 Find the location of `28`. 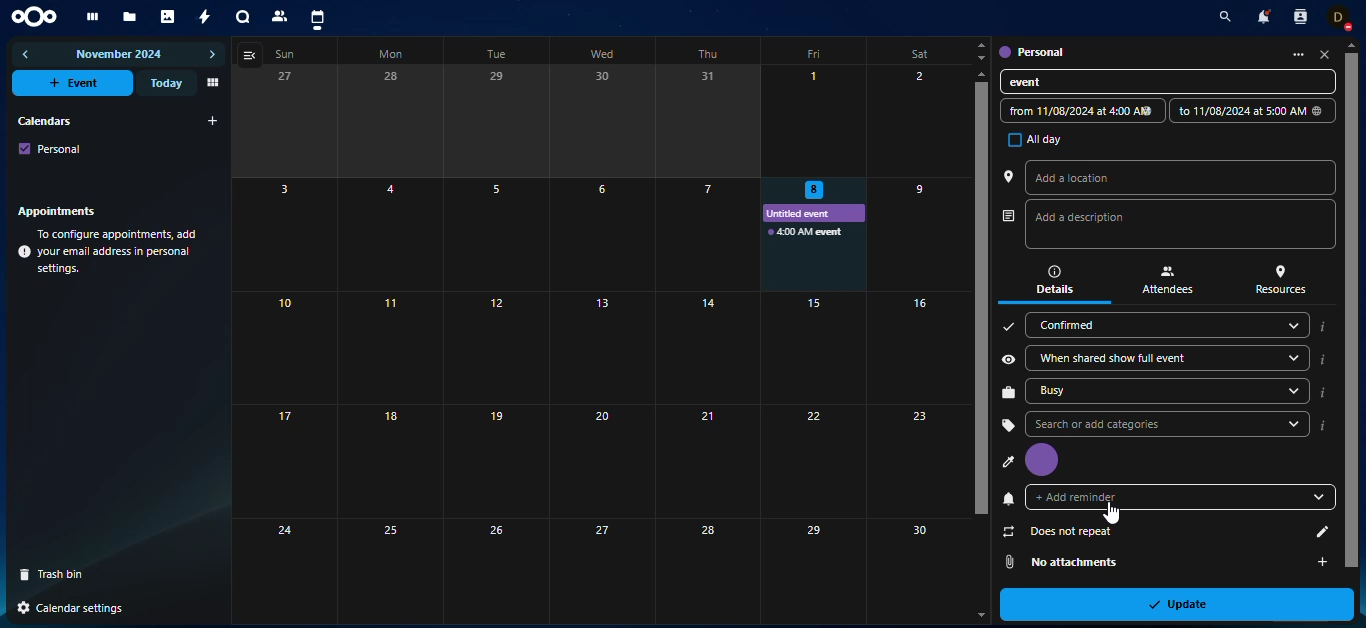

28 is located at coordinates (391, 120).